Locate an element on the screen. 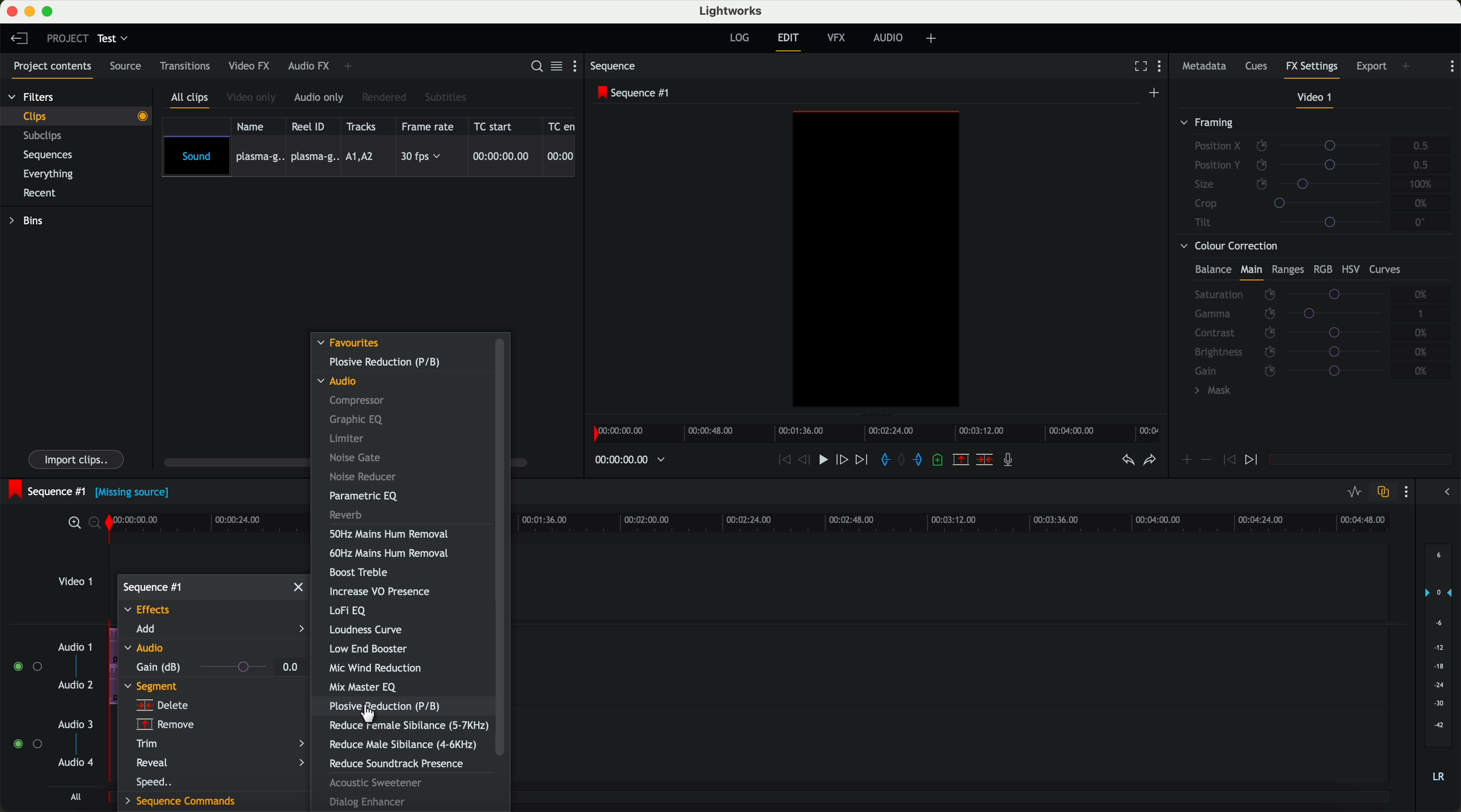 The width and height of the screenshot is (1461, 812). delete/cut is located at coordinates (983, 460).